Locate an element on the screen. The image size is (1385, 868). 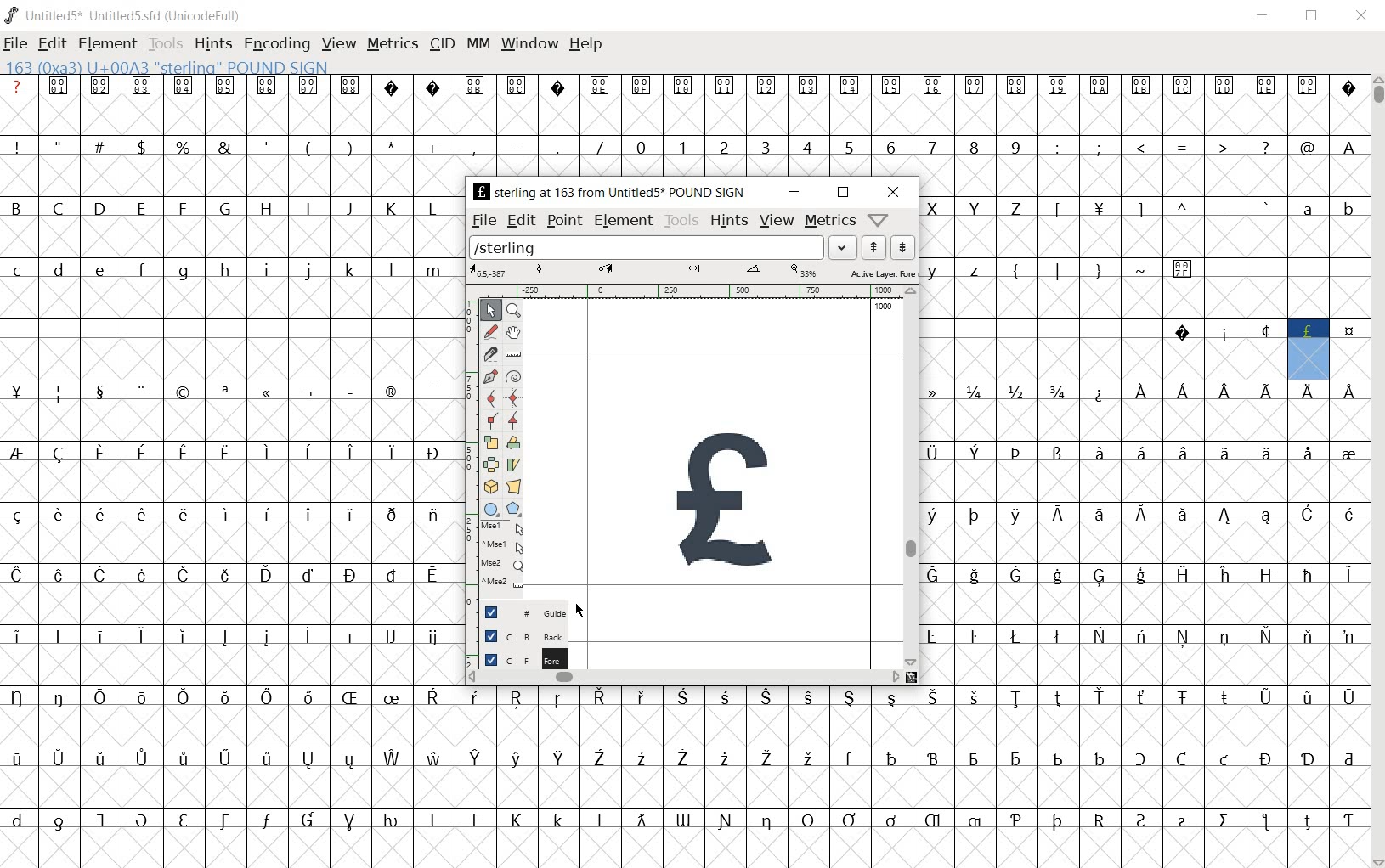
glyph name is located at coordinates (604, 192).